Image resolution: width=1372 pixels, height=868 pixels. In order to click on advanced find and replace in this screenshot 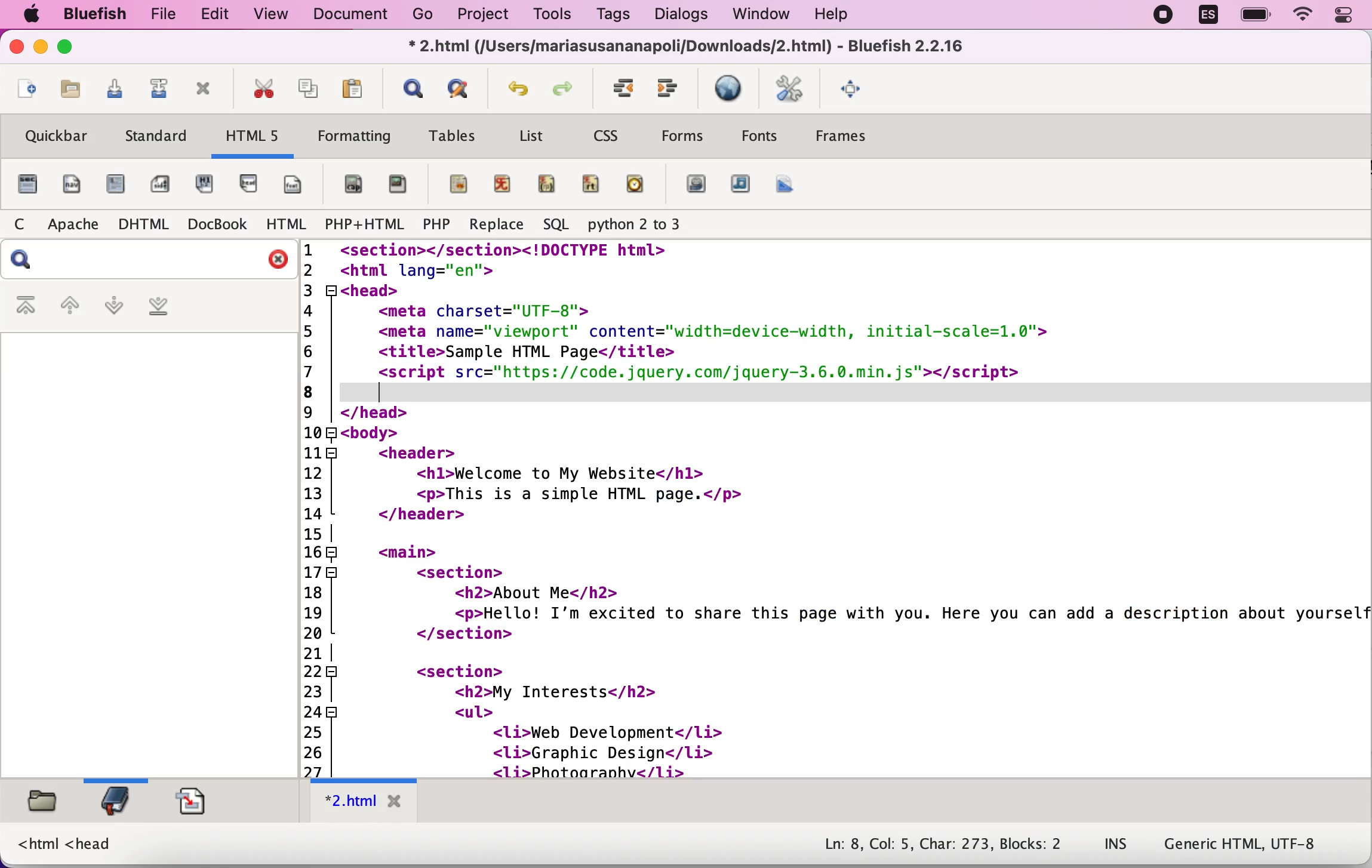, I will do `click(463, 88)`.